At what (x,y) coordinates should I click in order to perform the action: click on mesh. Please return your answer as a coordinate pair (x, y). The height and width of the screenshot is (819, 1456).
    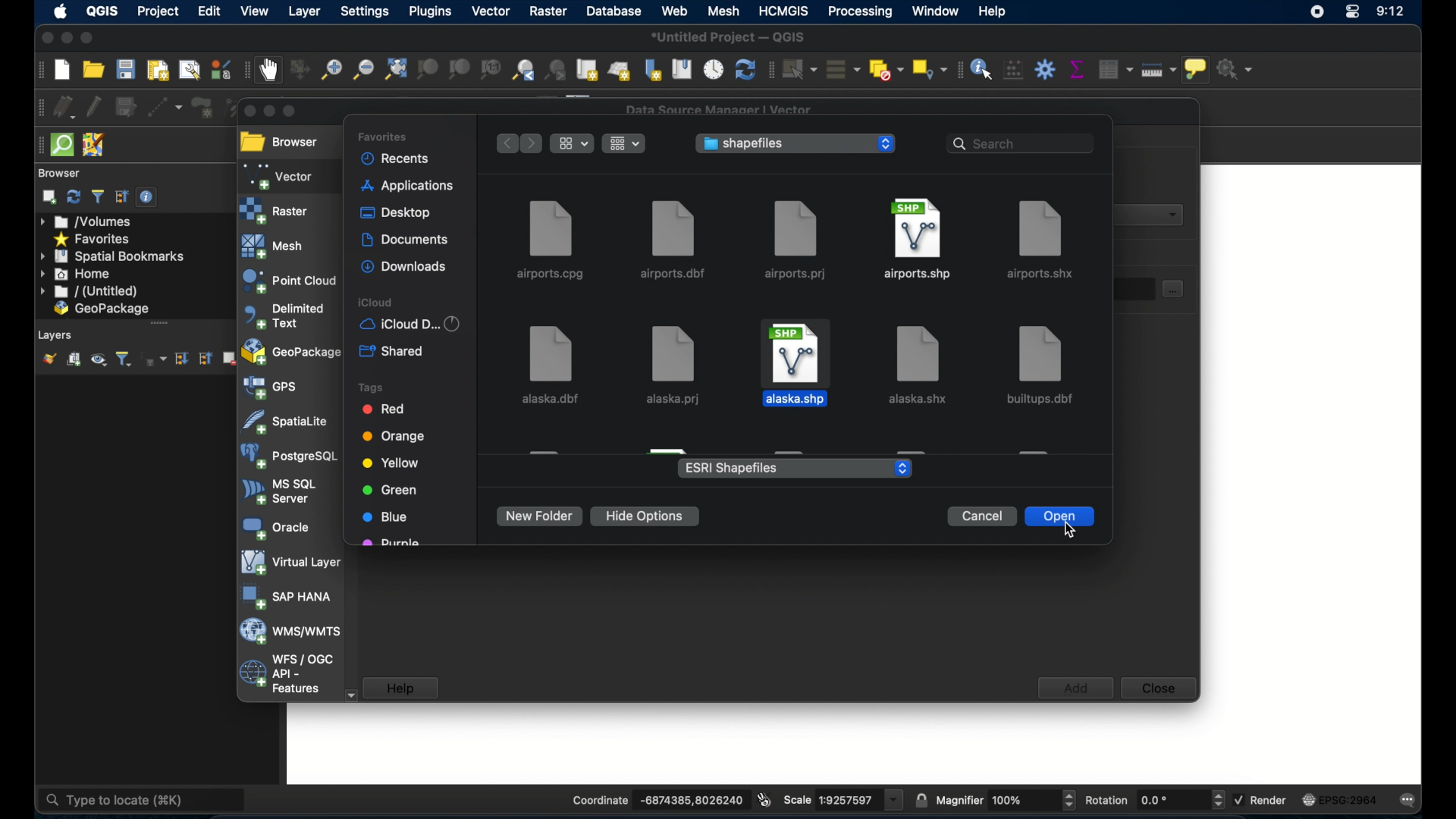
    Looking at the image, I should click on (275, 246).